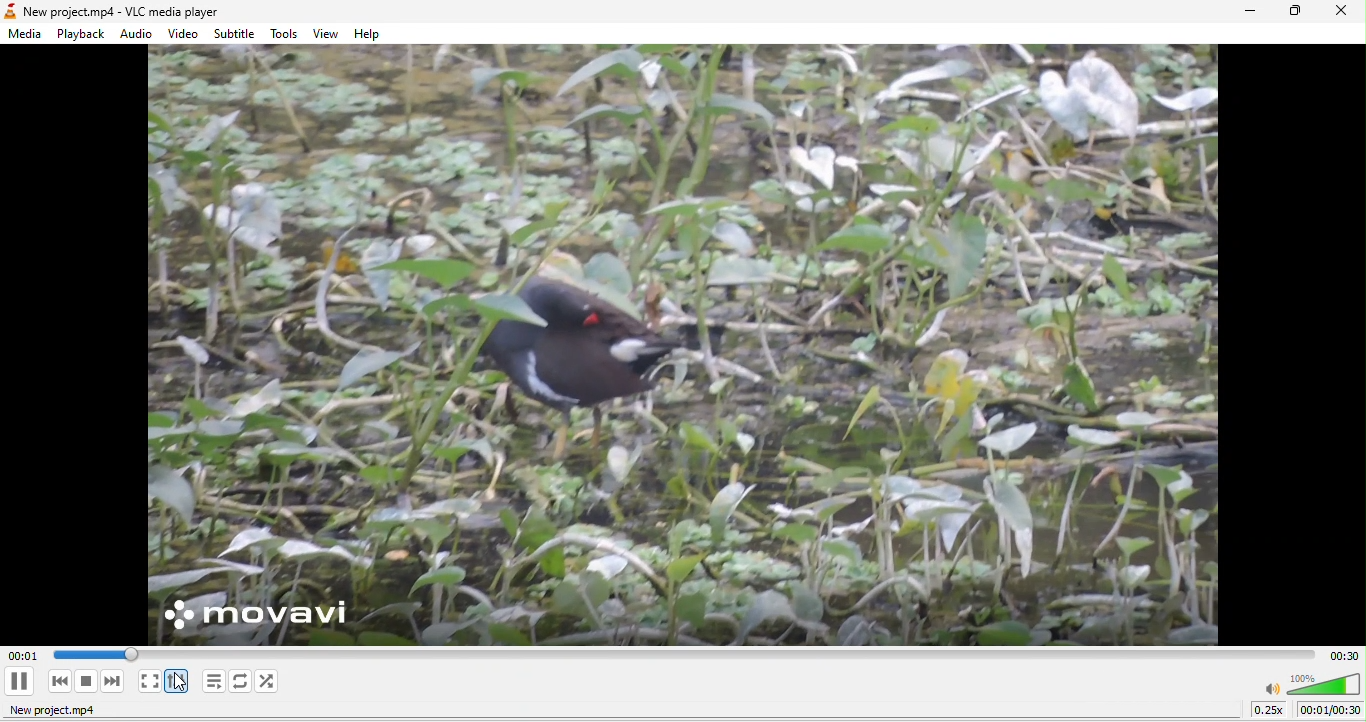 The width and height of the screenshot is (1366, 722). I want to click on media, so click(28, 36).